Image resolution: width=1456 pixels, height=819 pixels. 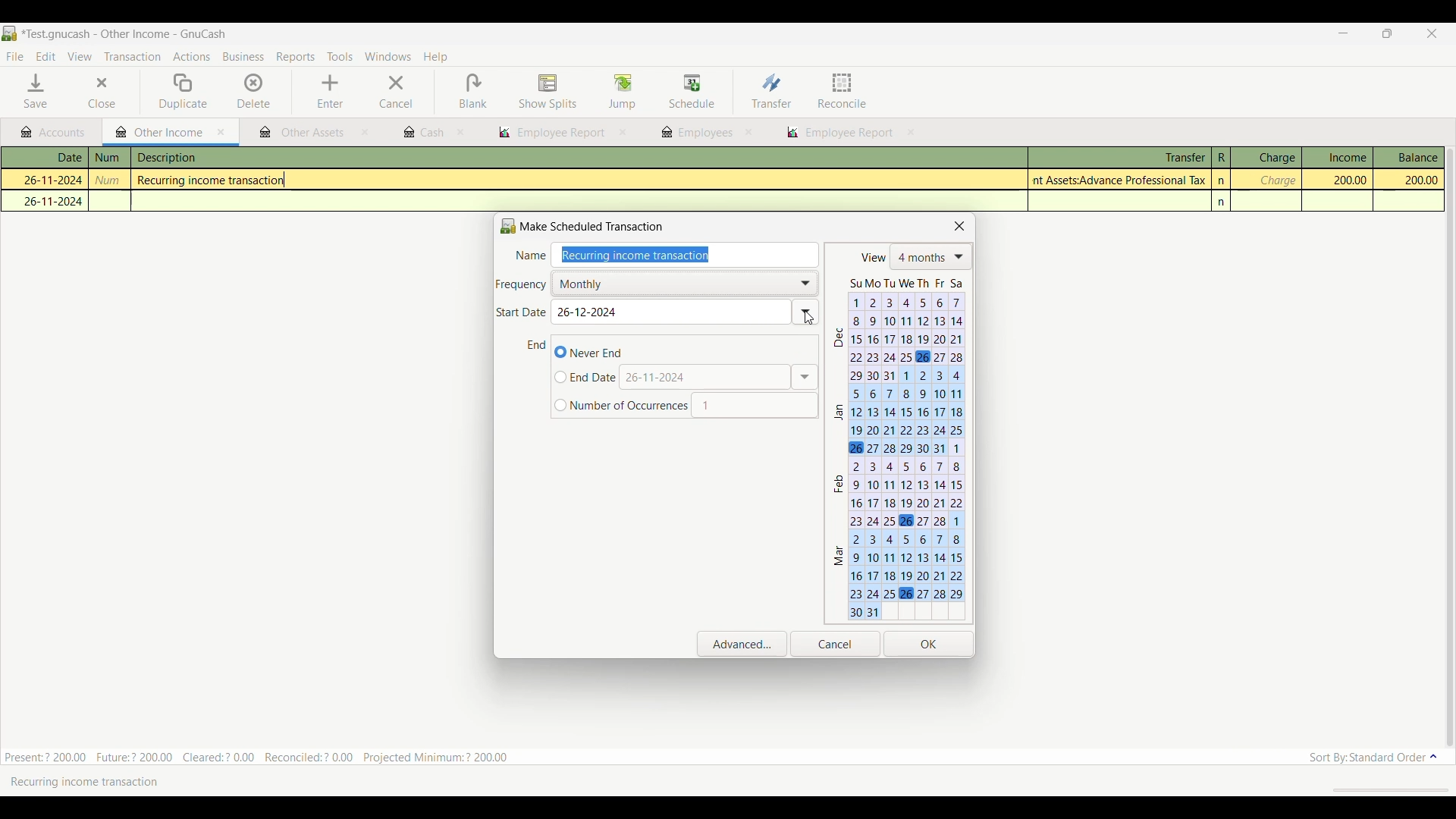 What do you see at coordinates (217, 180) in the screenshot?
I see `Recurring income transaction` at bounding box center [217, 180].